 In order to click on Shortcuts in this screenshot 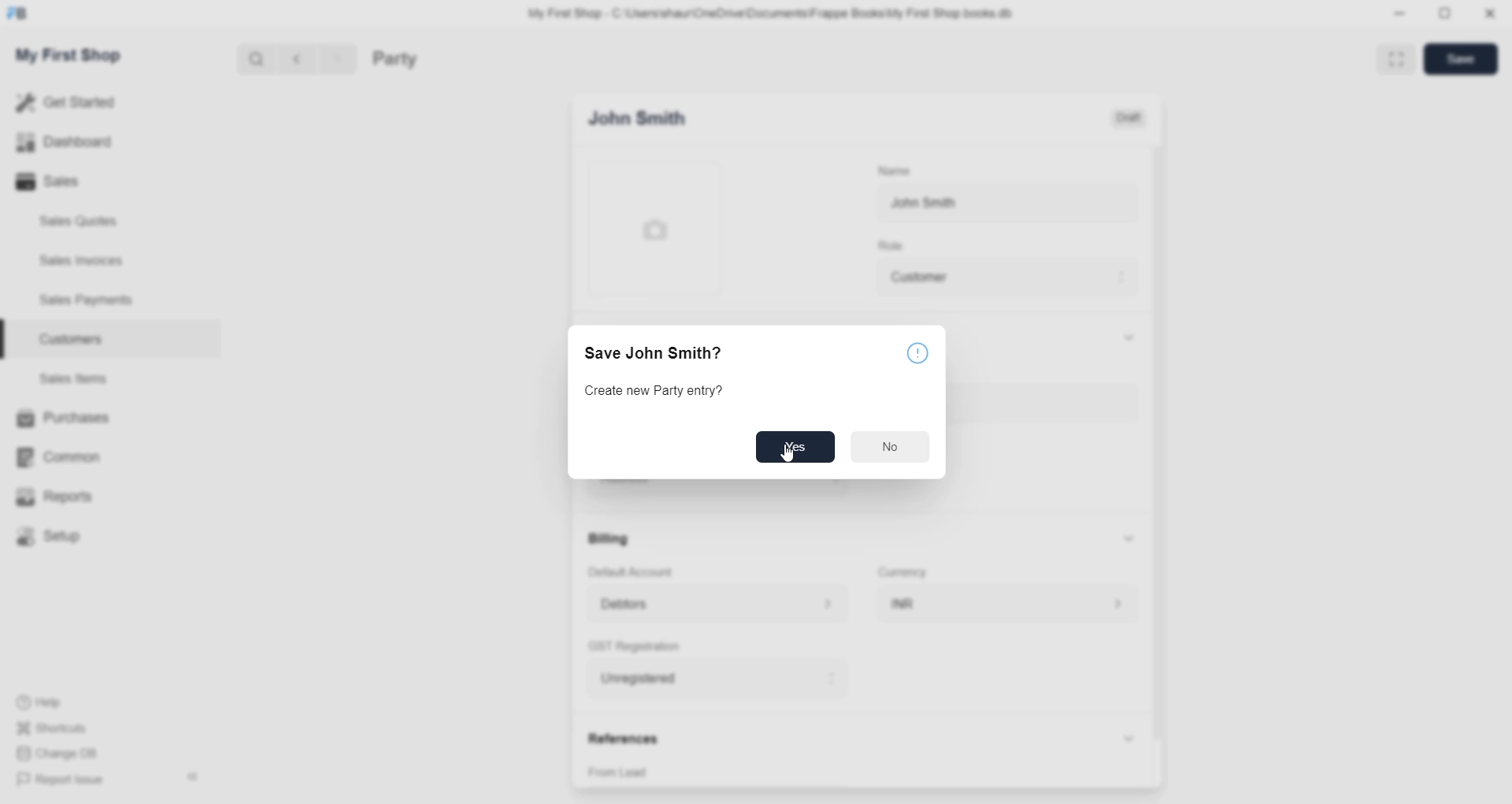, I will do `click(53, 728)`.